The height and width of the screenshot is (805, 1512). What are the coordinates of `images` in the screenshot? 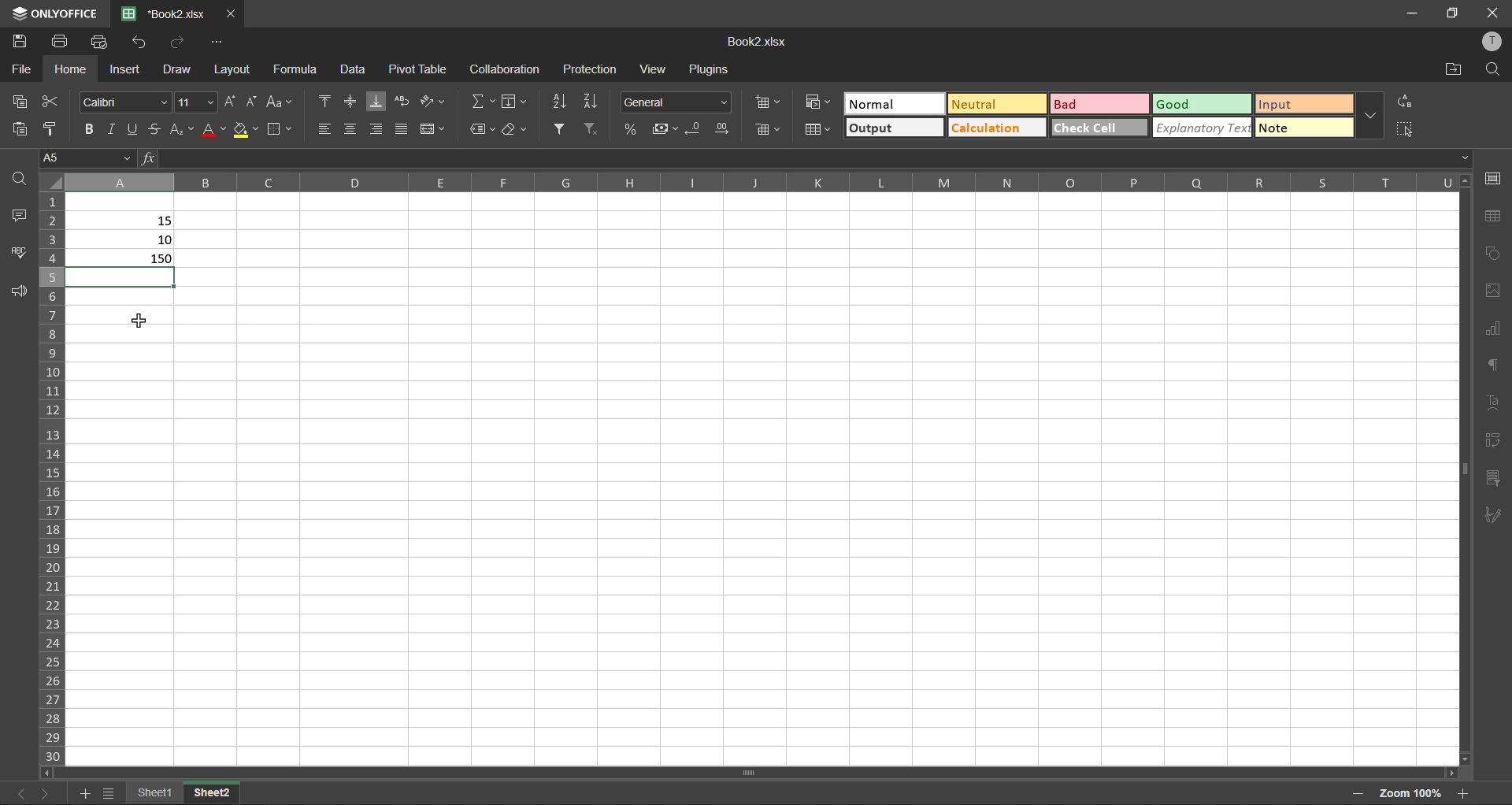 It's located at (1493, 291).